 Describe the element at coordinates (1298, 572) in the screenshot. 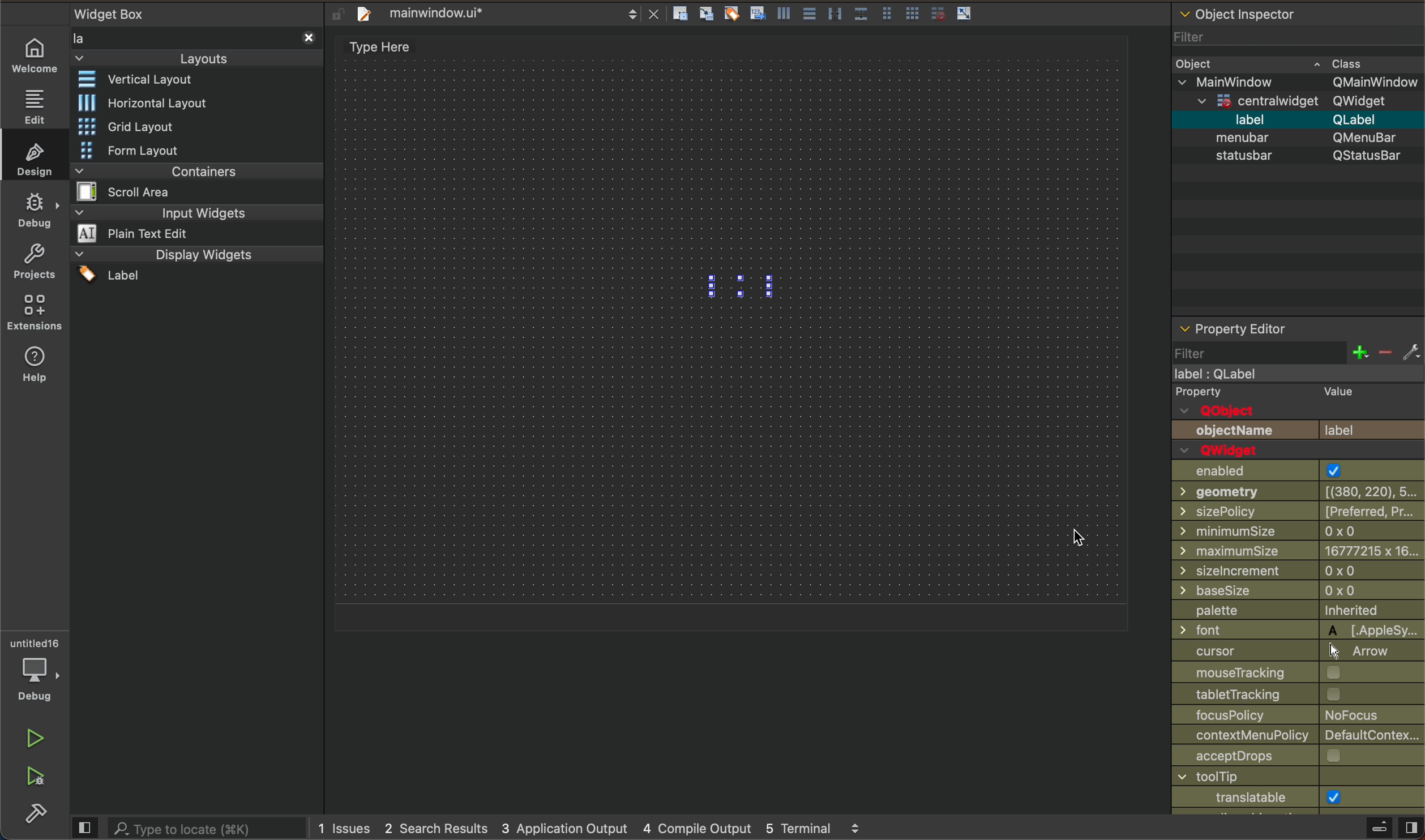

I see `size` at that location.